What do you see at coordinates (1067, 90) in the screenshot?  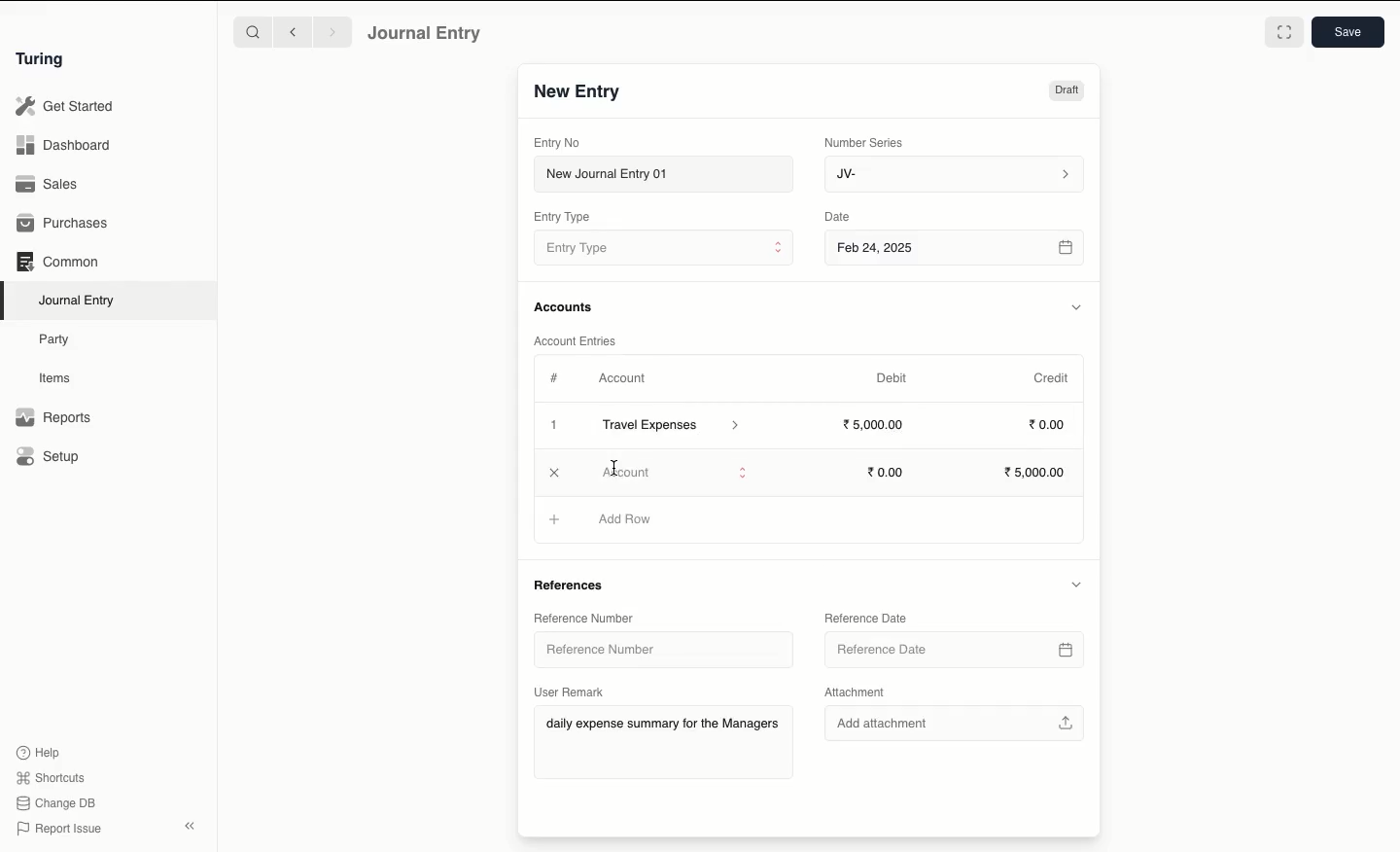 I see `Draft` at bounding box center [1067, 90].